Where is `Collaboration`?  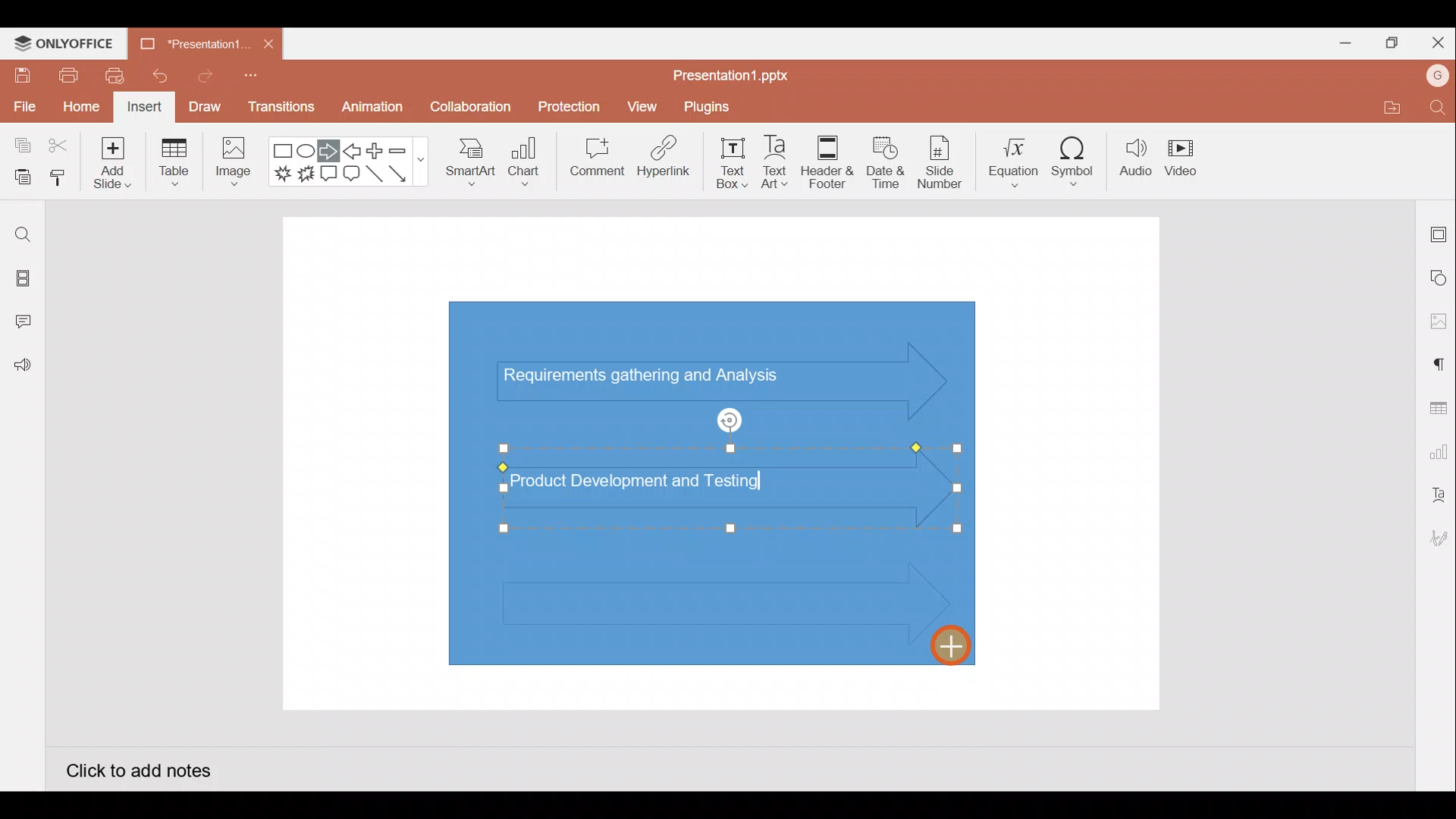
Collaboration is located at coordinates (469, 113).